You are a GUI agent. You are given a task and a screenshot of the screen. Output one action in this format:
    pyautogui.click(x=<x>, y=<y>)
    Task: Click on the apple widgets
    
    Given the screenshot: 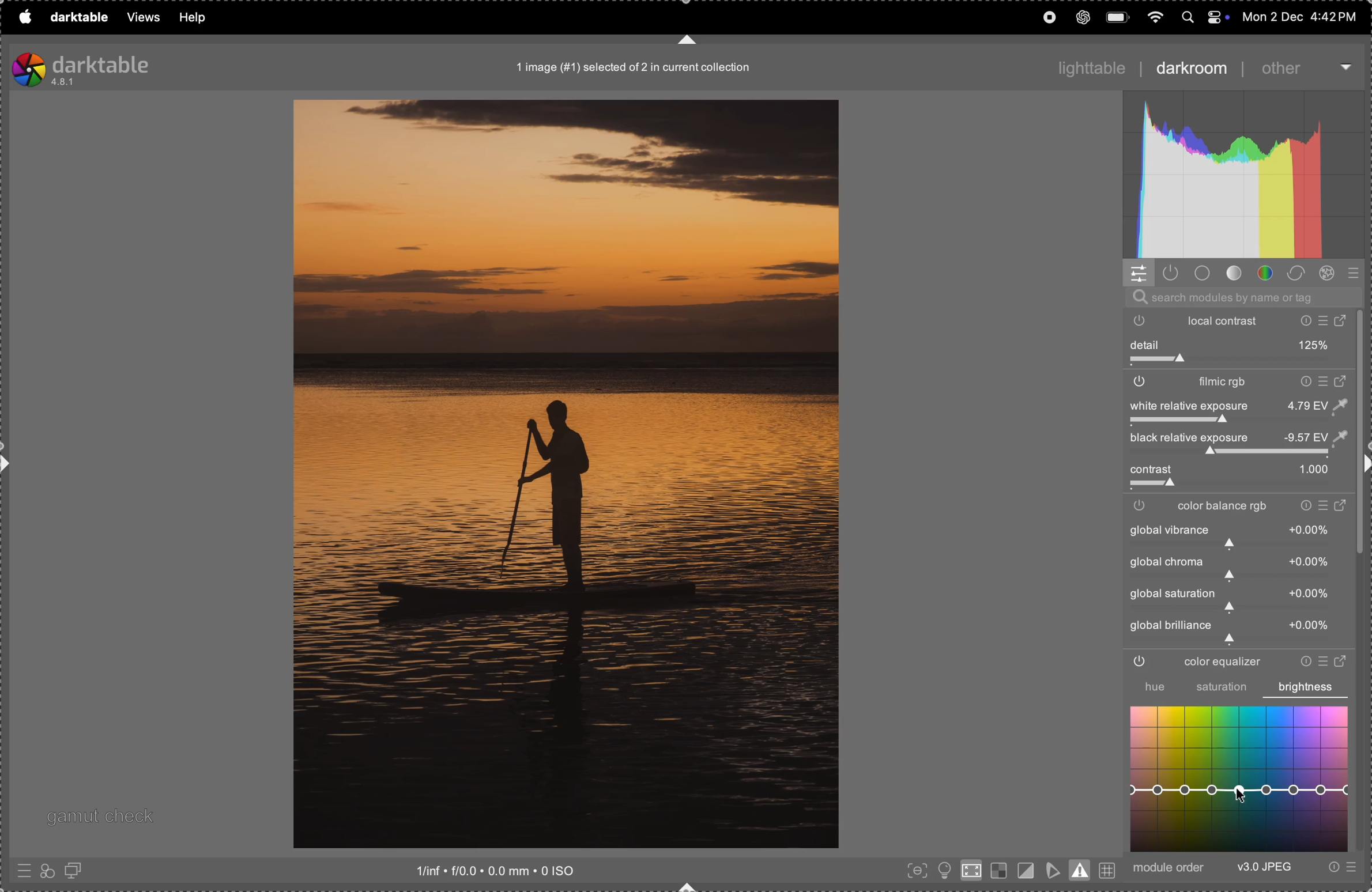 What is the action you would take?
    pyautogui.click(x=1203, y=16)
    